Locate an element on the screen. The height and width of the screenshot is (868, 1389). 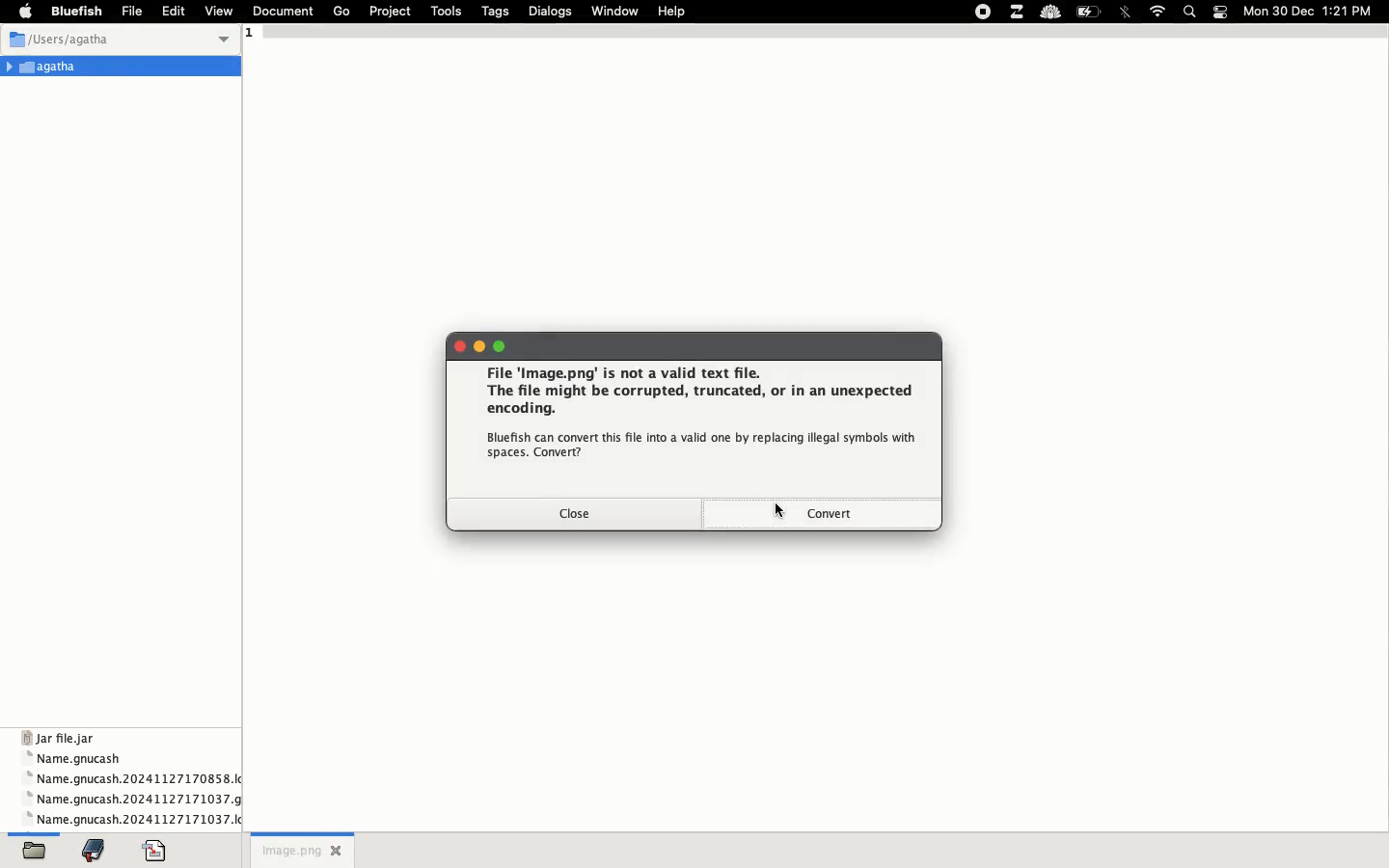
1 is located at coordinates (817, 33).